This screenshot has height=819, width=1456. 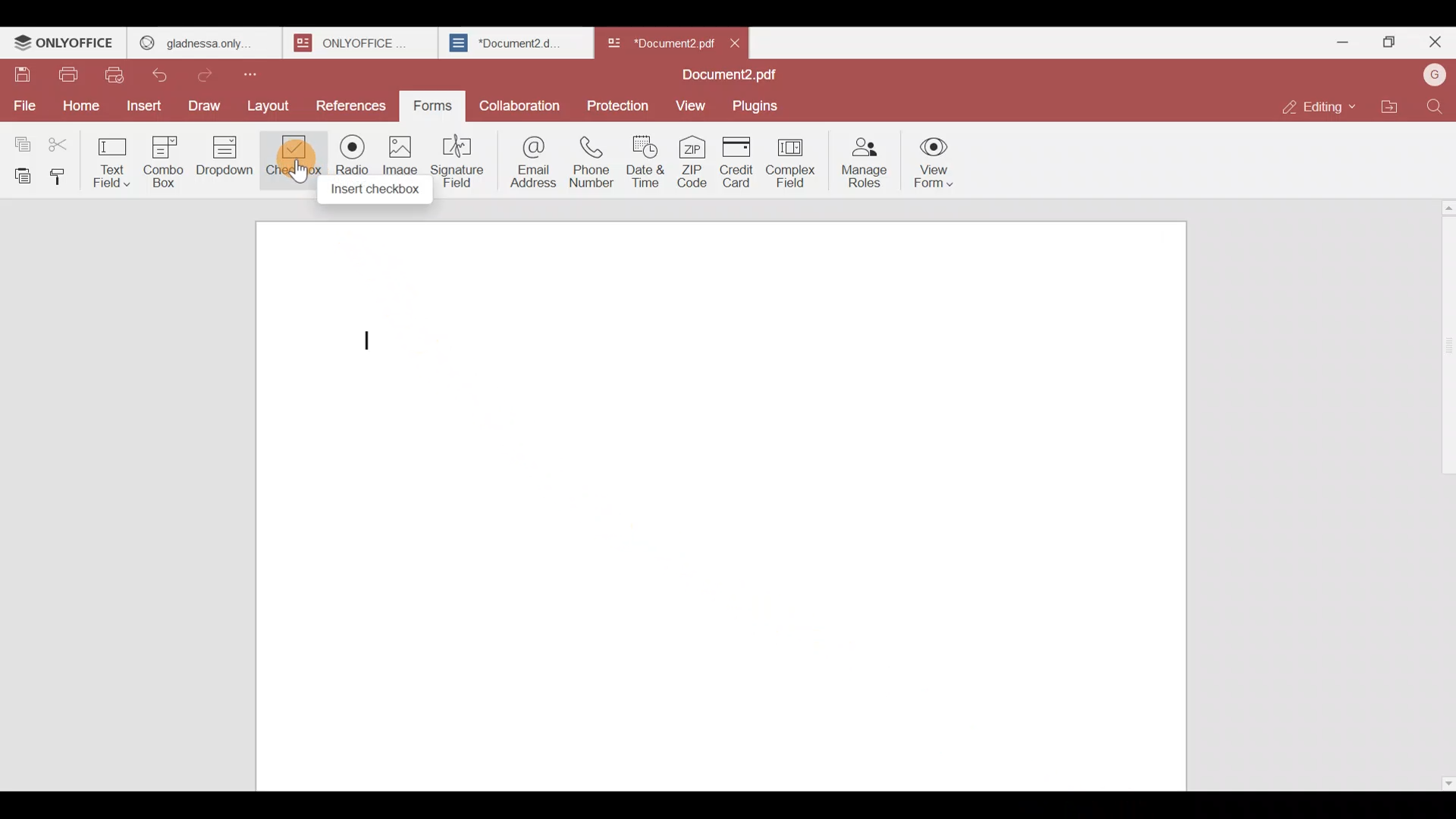 What do you see at coordinates (64, 173) in the screenshot?
I see `Copy style` at bounding box center [64, 173].